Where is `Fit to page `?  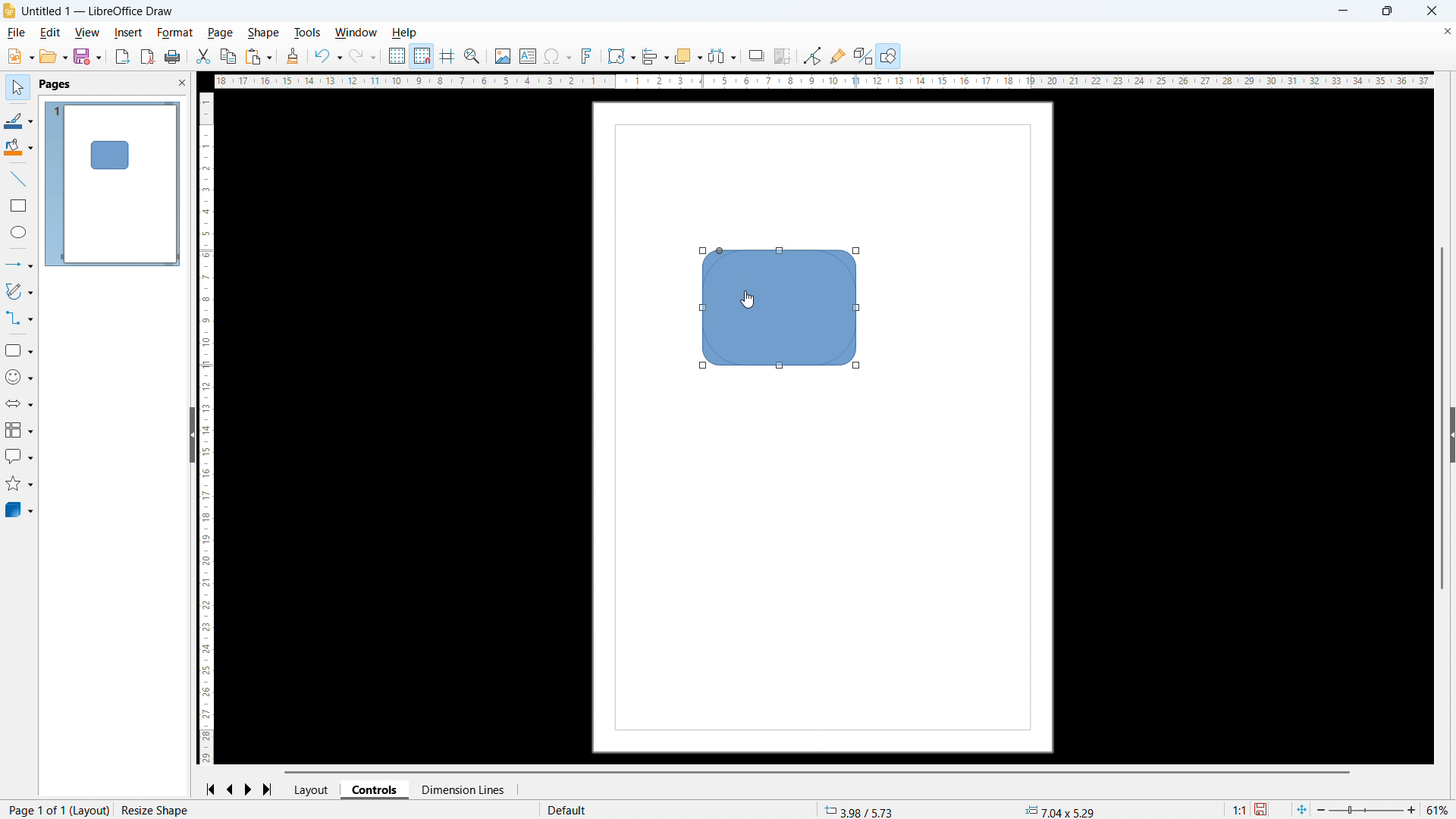
Fit to page  is located at coordinates (1303, 808).